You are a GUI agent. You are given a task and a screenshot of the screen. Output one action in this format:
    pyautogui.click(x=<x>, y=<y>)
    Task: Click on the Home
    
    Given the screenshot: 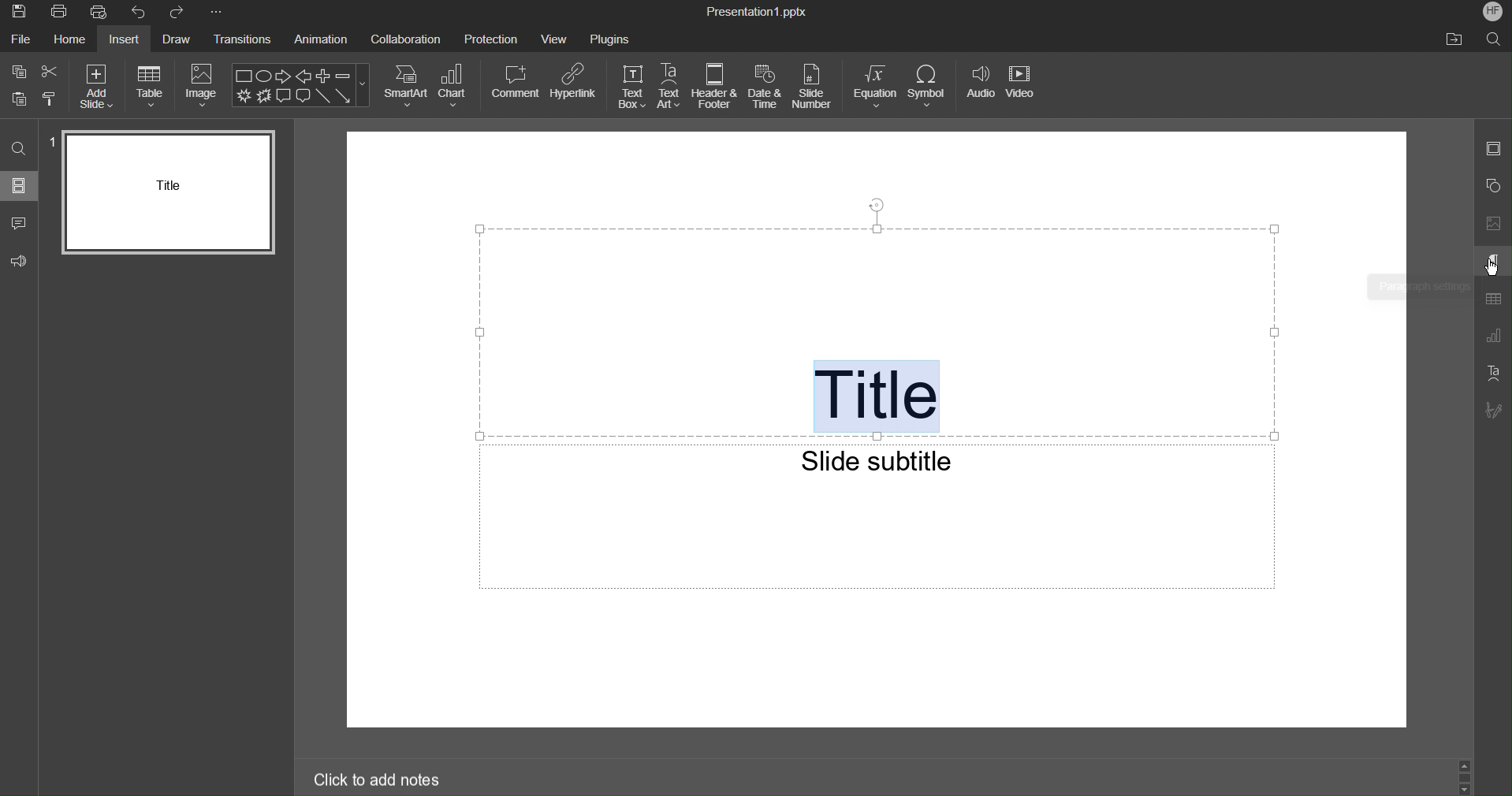 What is the action you would take?
    pyautogui.click(x=71, y=42)
    